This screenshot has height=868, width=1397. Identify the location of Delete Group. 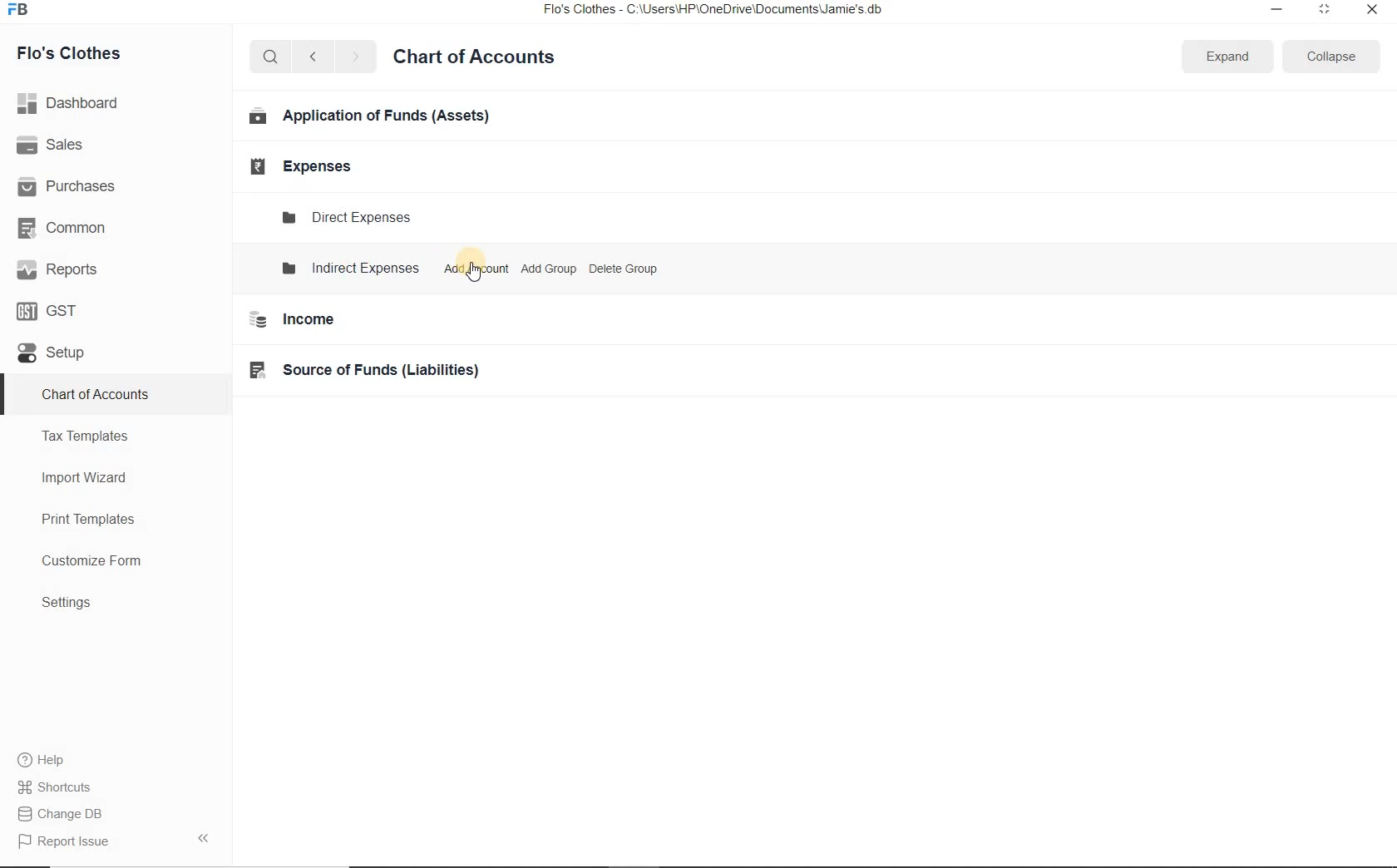
(625, 271).